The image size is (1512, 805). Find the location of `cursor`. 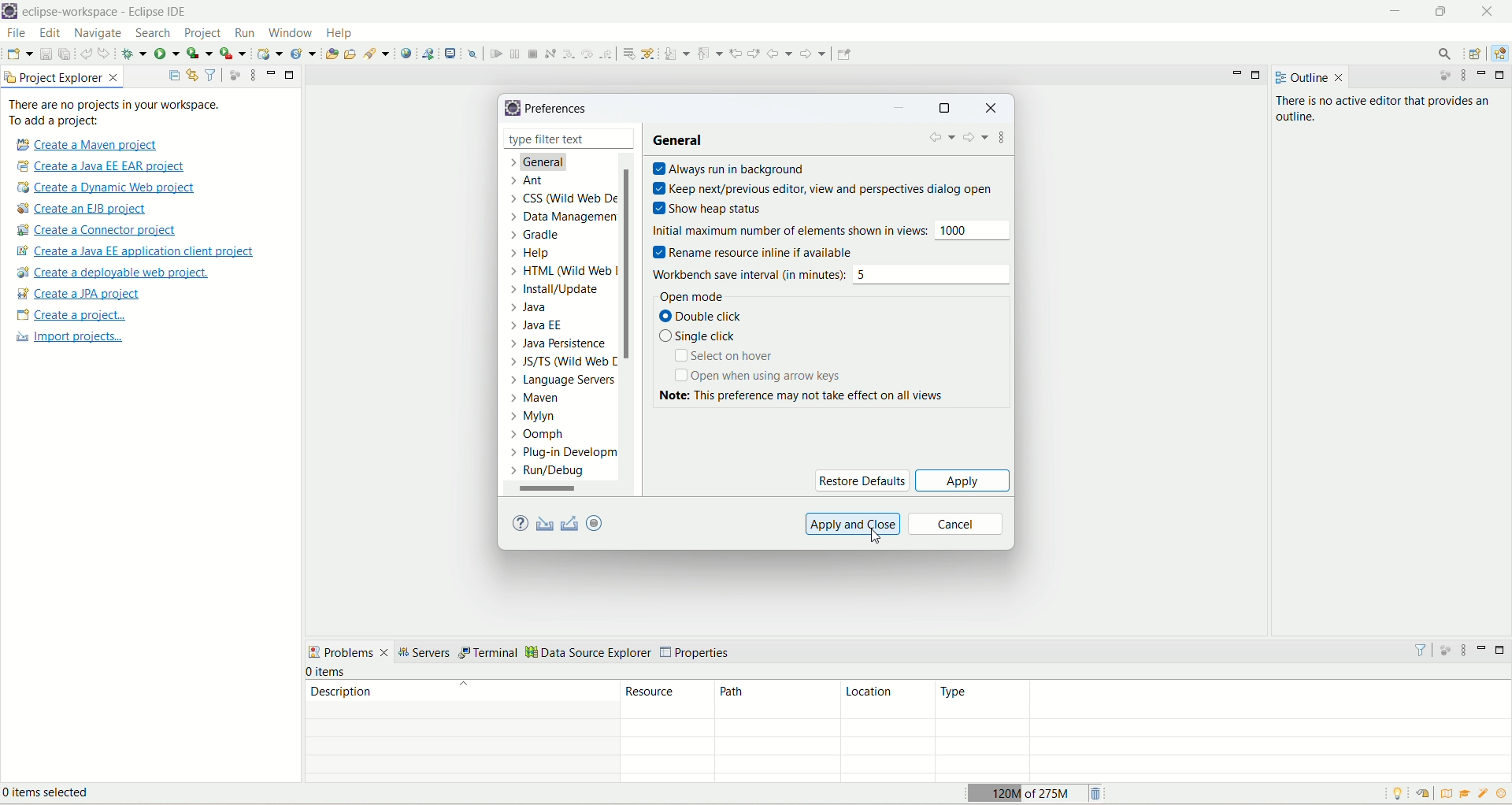

cursor is located at coordinates (880, 540).